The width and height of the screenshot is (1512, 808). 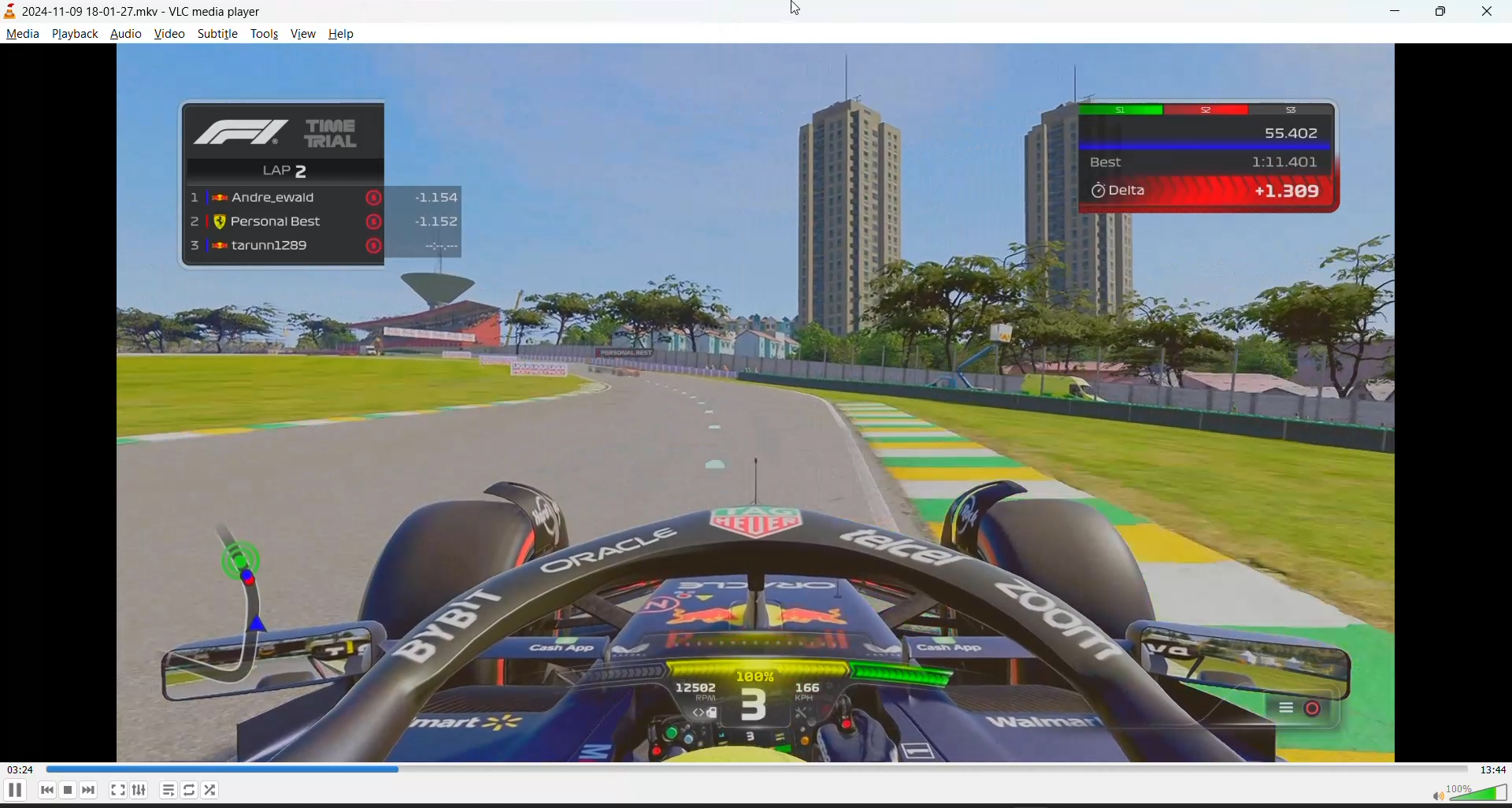 What do you see at coordinates (265, 32) in the screenshot?
I see `tools` at bounding box center [265, 32].